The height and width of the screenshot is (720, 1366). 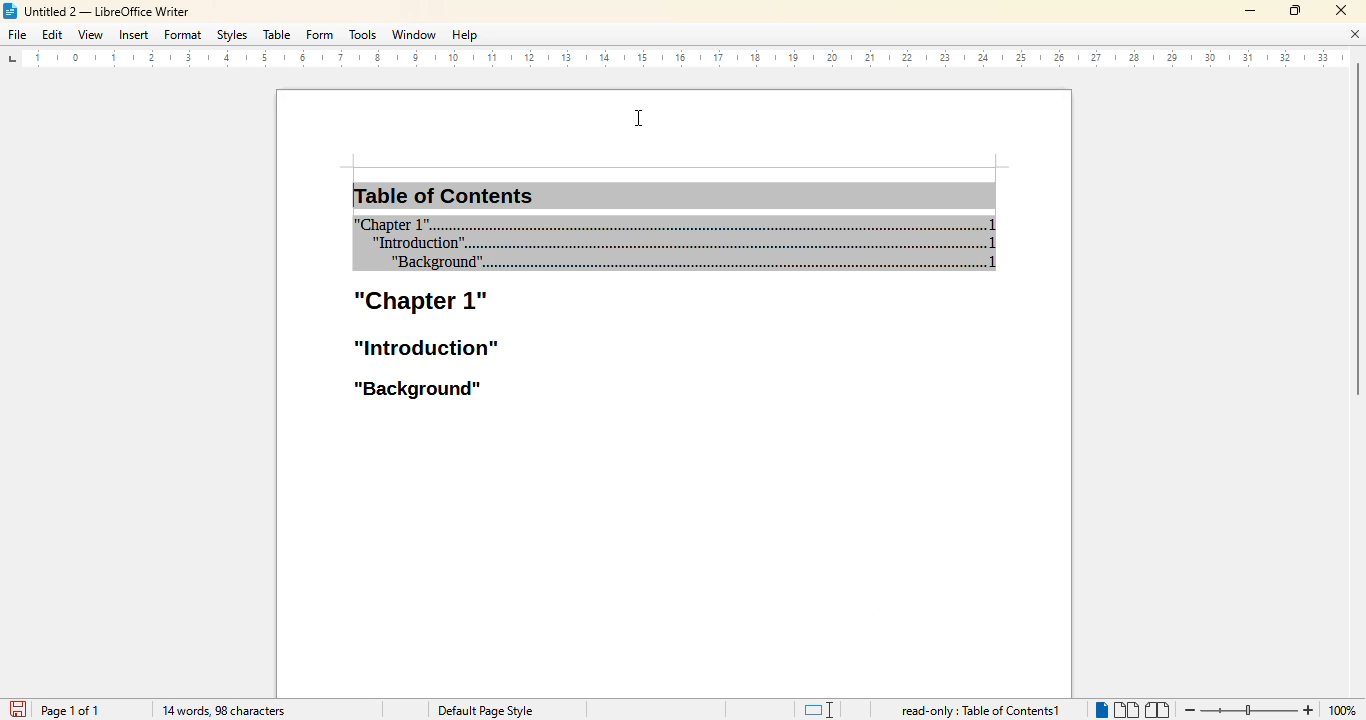 What do you see at coordinates (1340, 9) in the screenshot?
I see `close` at bounding box center [1340, 9].